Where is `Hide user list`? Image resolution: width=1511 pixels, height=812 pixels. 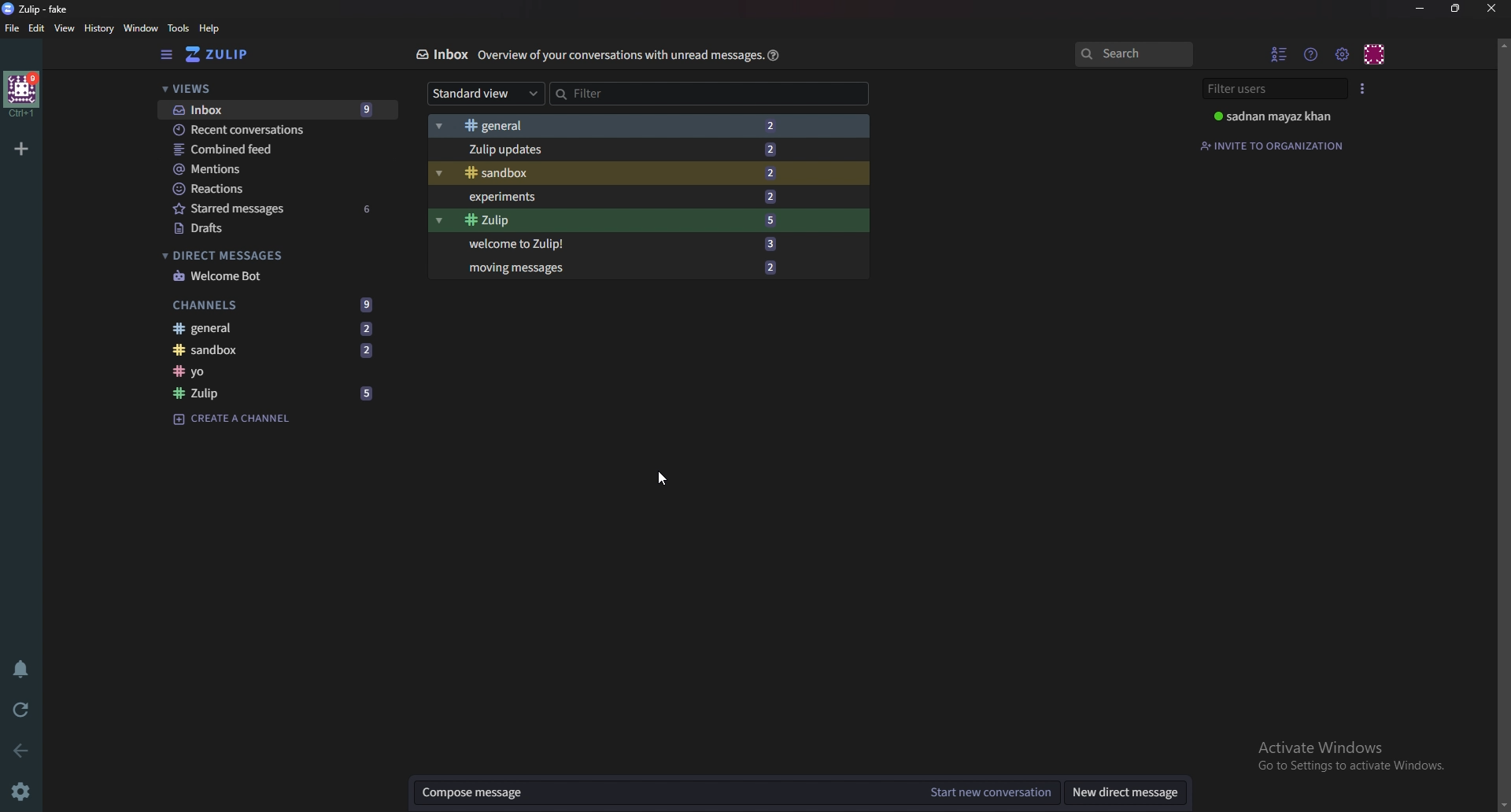
Hide user list is located at coordinates (1277, 54).